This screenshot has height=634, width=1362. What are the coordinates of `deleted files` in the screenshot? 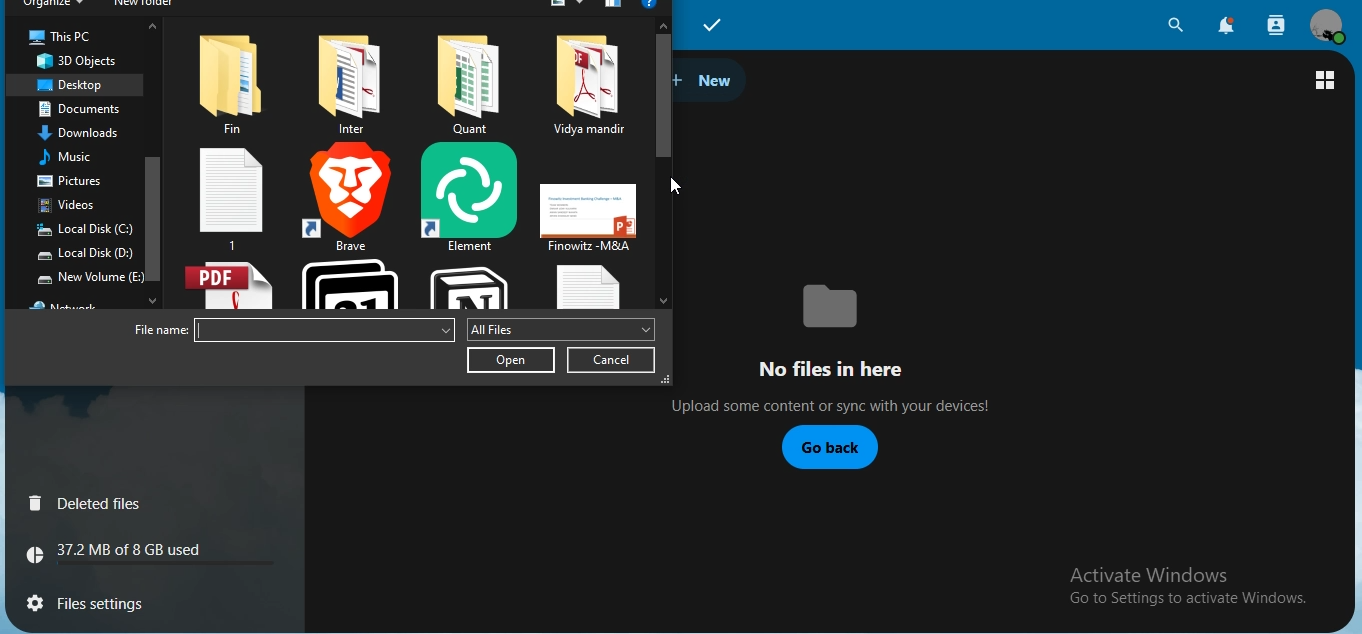 It's located at (89, 504).